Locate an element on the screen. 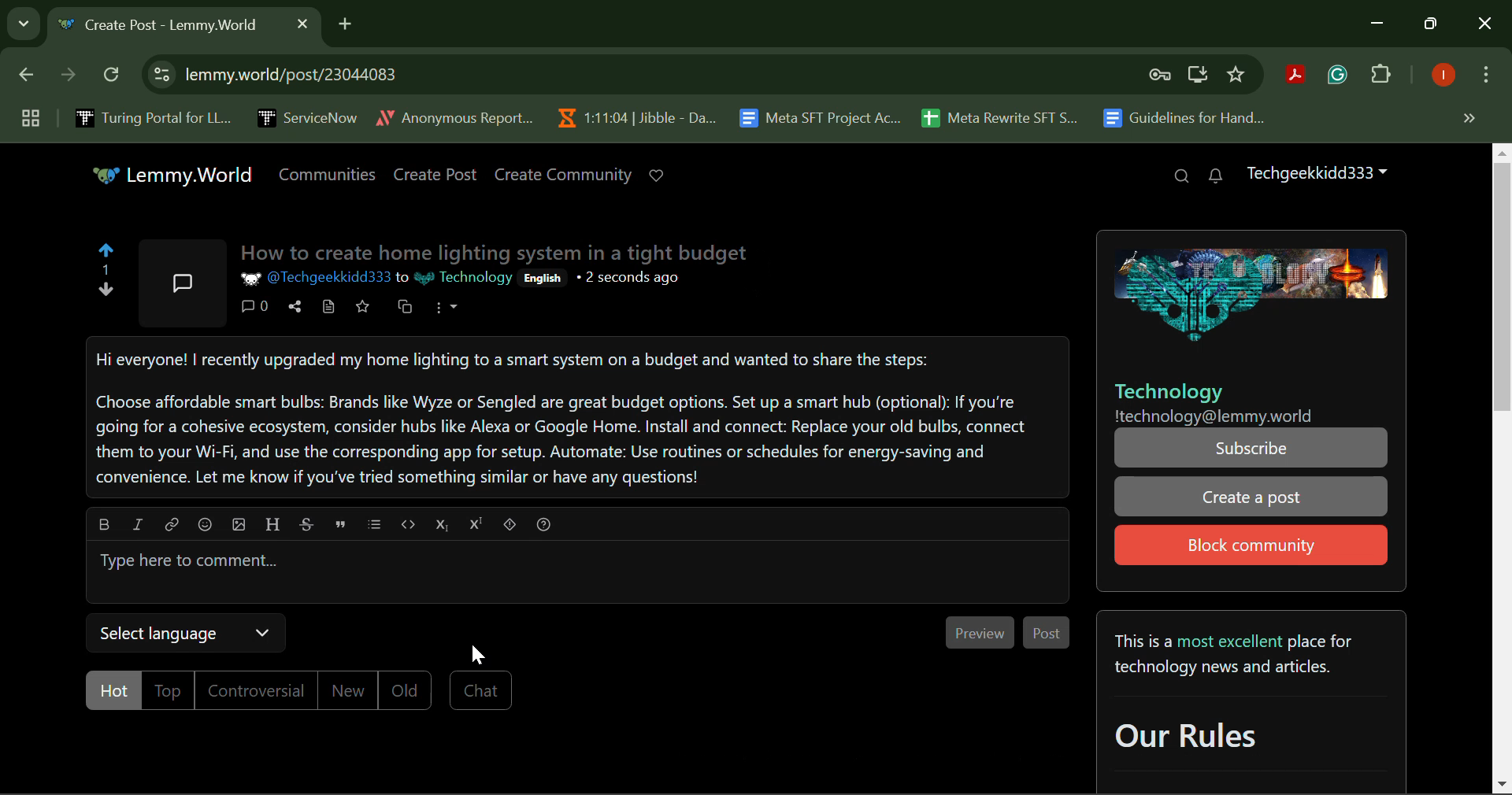 The height and width of the screenshot is (795, 1512). Time since post is located at coordinates (627, 279).